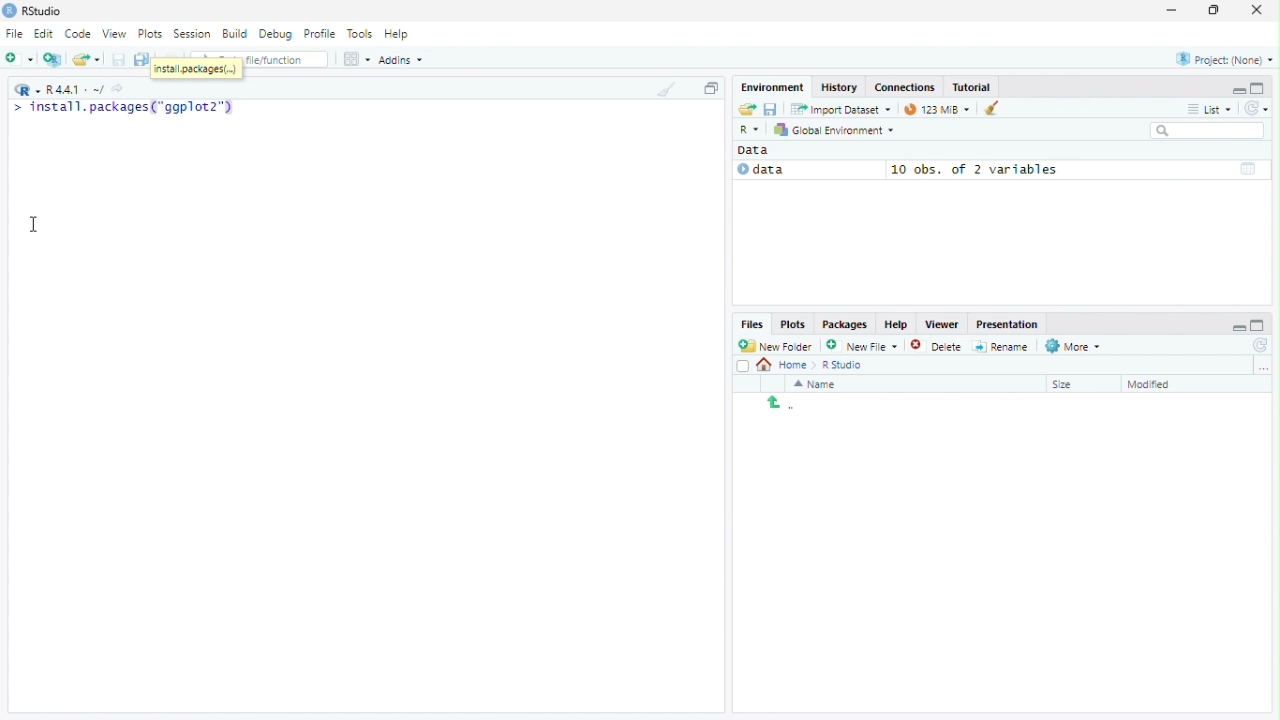  Describe the element at coordinates (1077, 383) in the screenshot. I see `Sort by size` at that location.